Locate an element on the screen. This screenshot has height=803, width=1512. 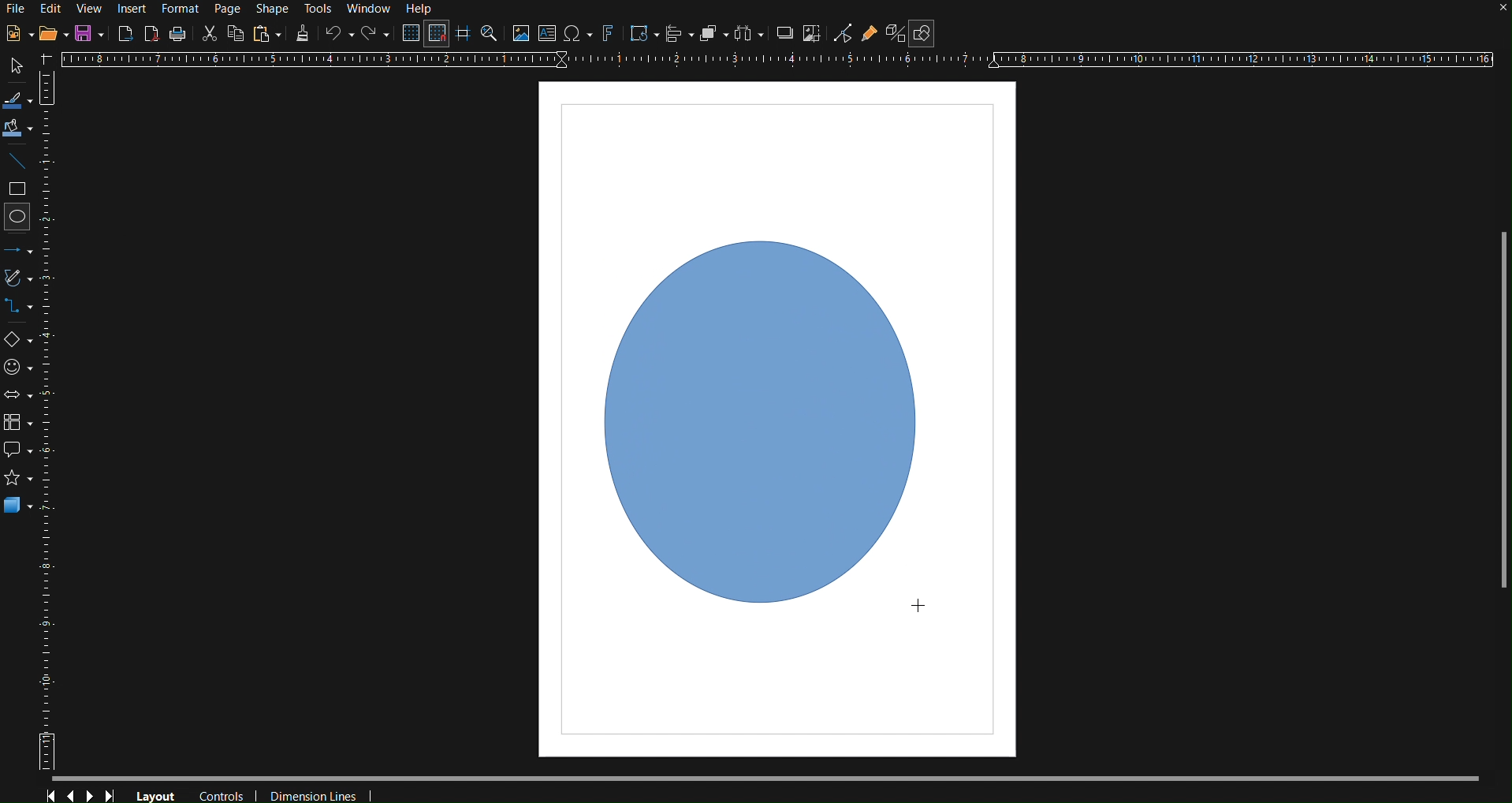
Save is located at coordinates (91, 34).